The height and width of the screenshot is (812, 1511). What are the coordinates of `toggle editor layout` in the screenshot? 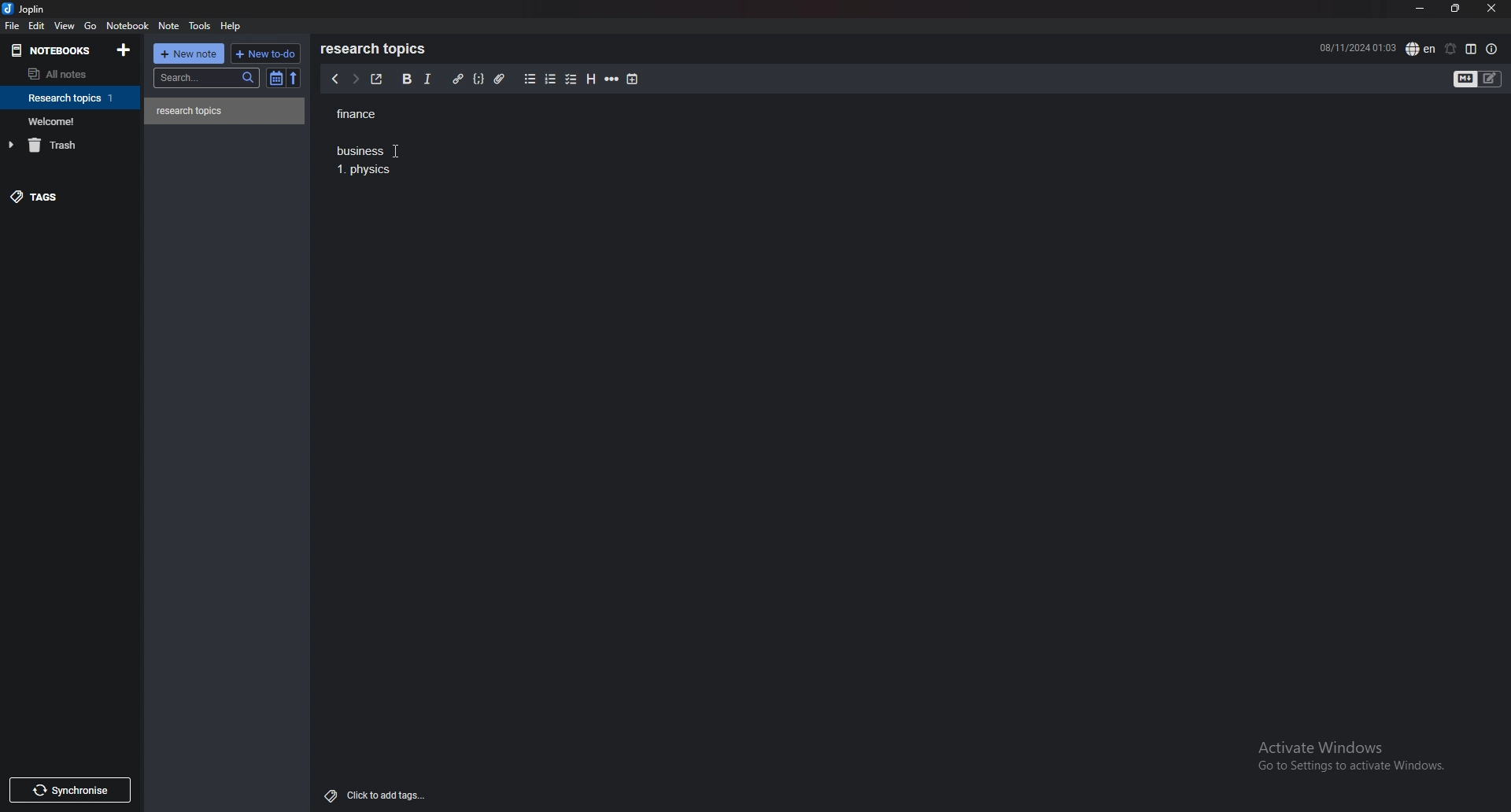 It's located at (1471, 49).